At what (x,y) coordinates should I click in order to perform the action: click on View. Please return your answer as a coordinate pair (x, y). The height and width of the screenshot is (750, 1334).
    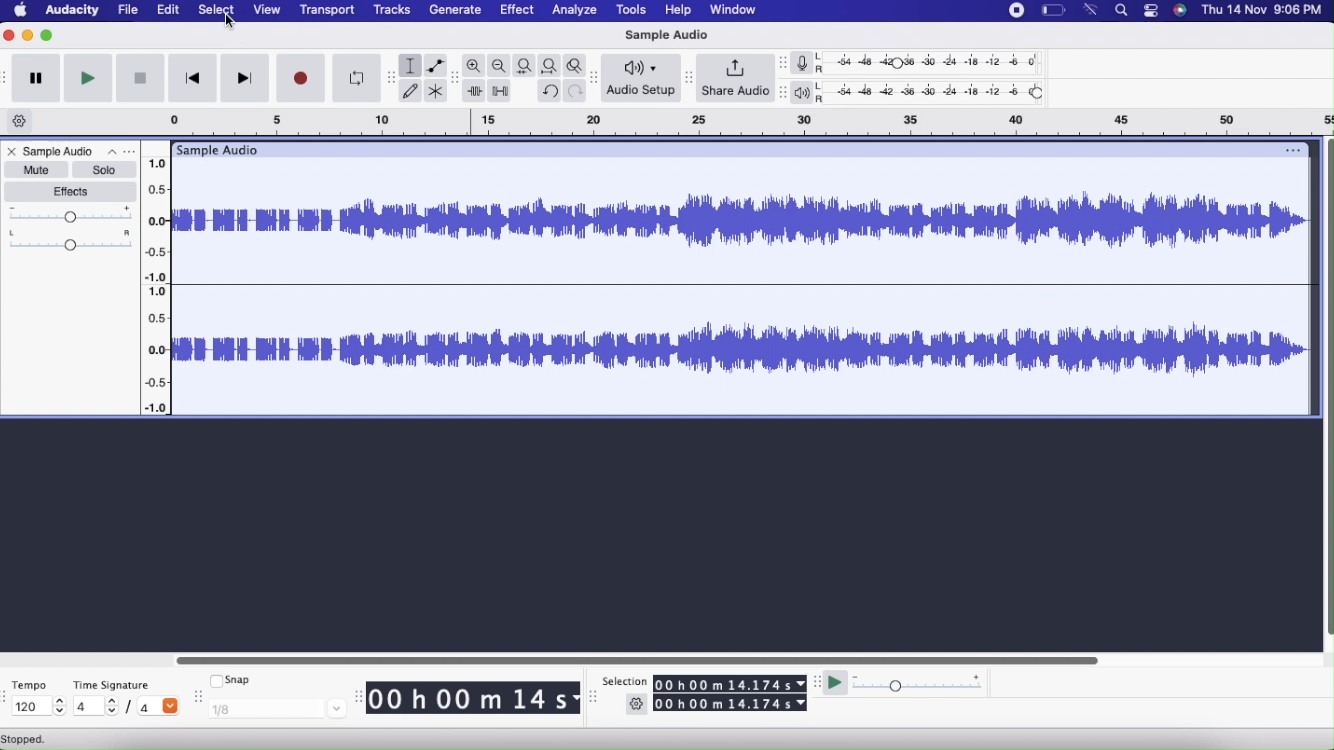
    Looking at the image, I should click on (268, 9).